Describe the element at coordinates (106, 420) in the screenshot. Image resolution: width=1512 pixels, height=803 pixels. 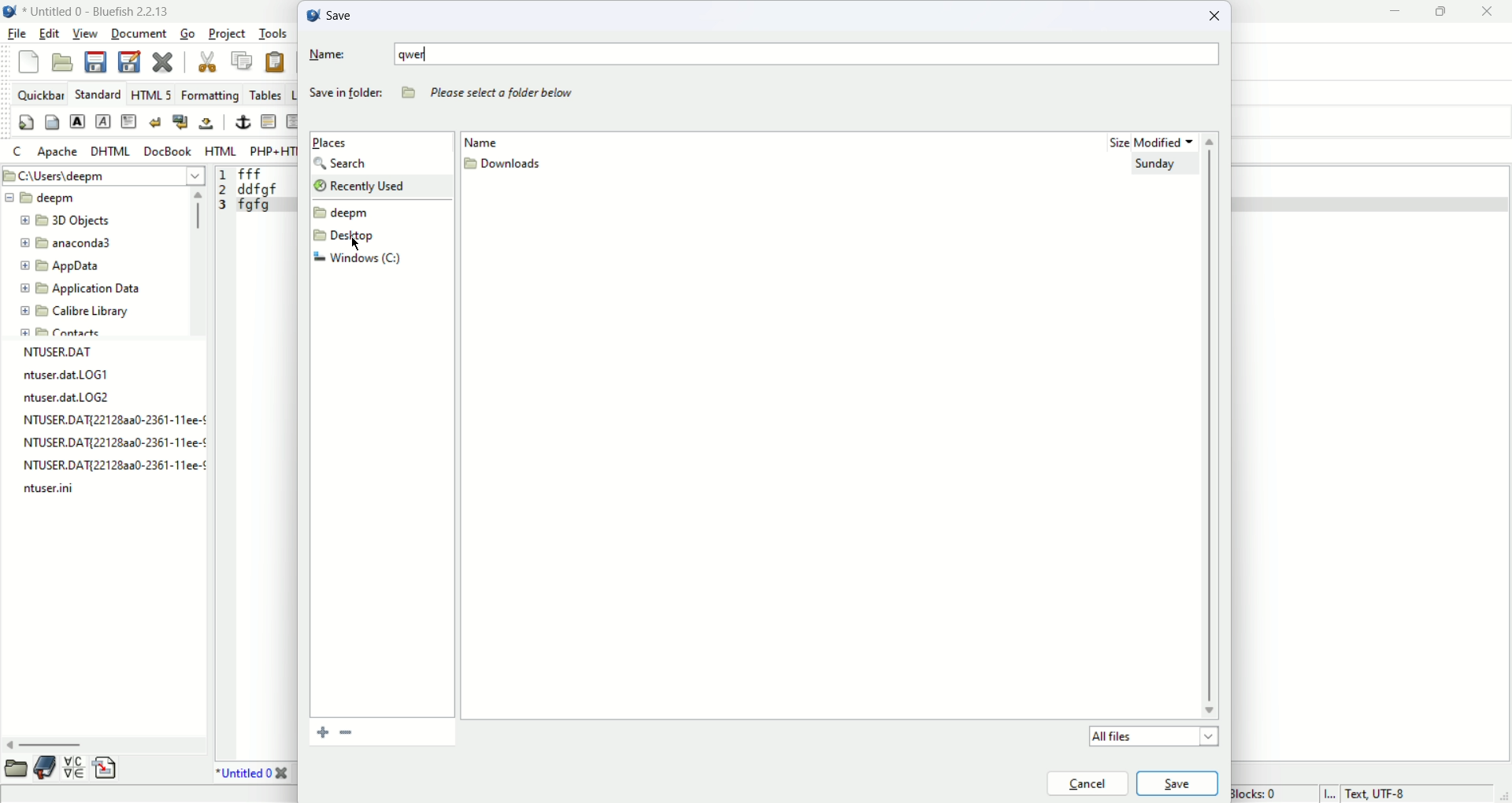
I see `file name` at that location.